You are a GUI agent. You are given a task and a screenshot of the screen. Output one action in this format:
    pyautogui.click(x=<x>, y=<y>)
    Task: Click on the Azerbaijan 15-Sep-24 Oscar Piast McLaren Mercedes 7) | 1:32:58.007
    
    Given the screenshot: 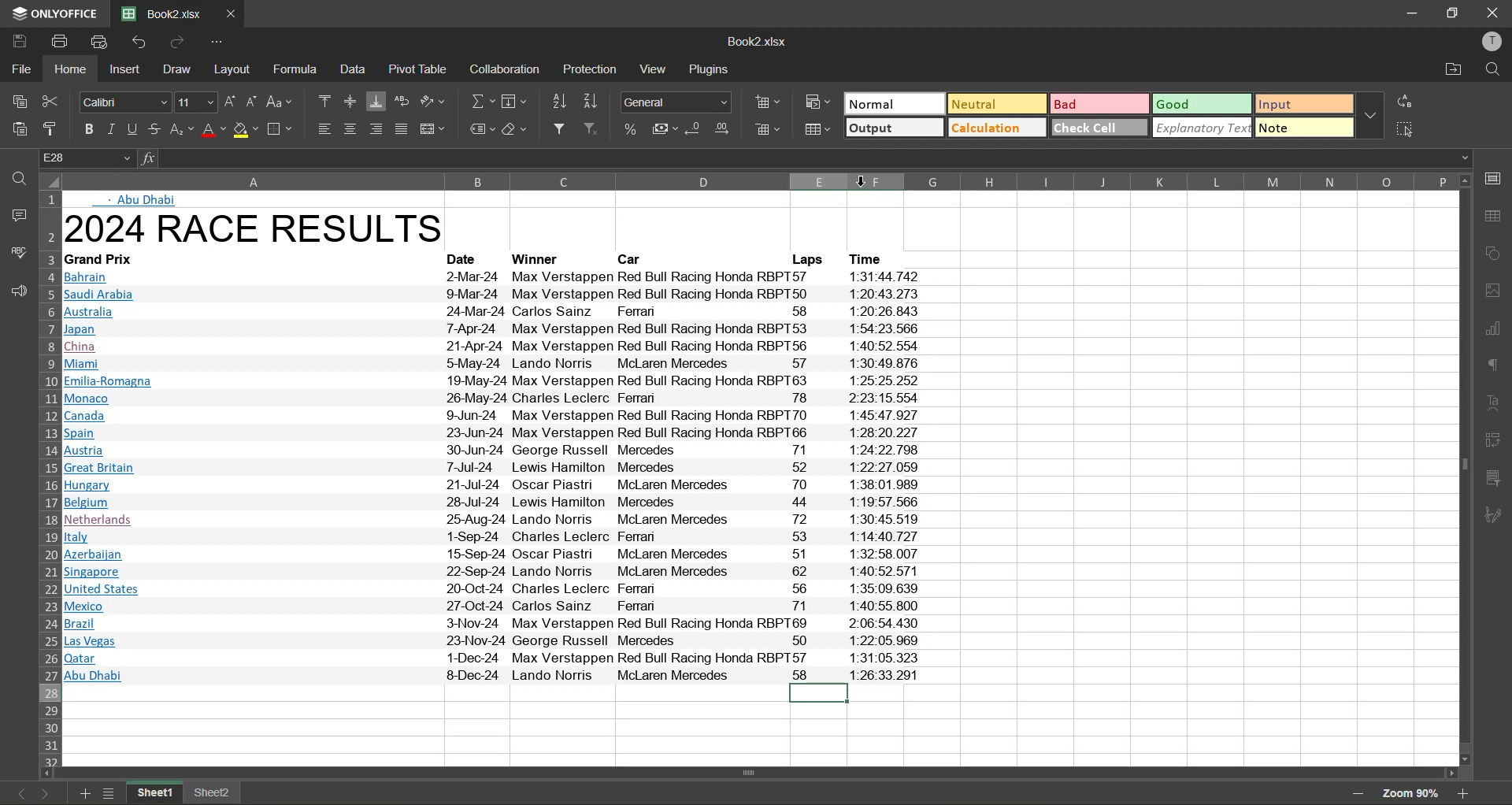 What is the action you would take?
    pyautogui.click(x=491, y=555)
    